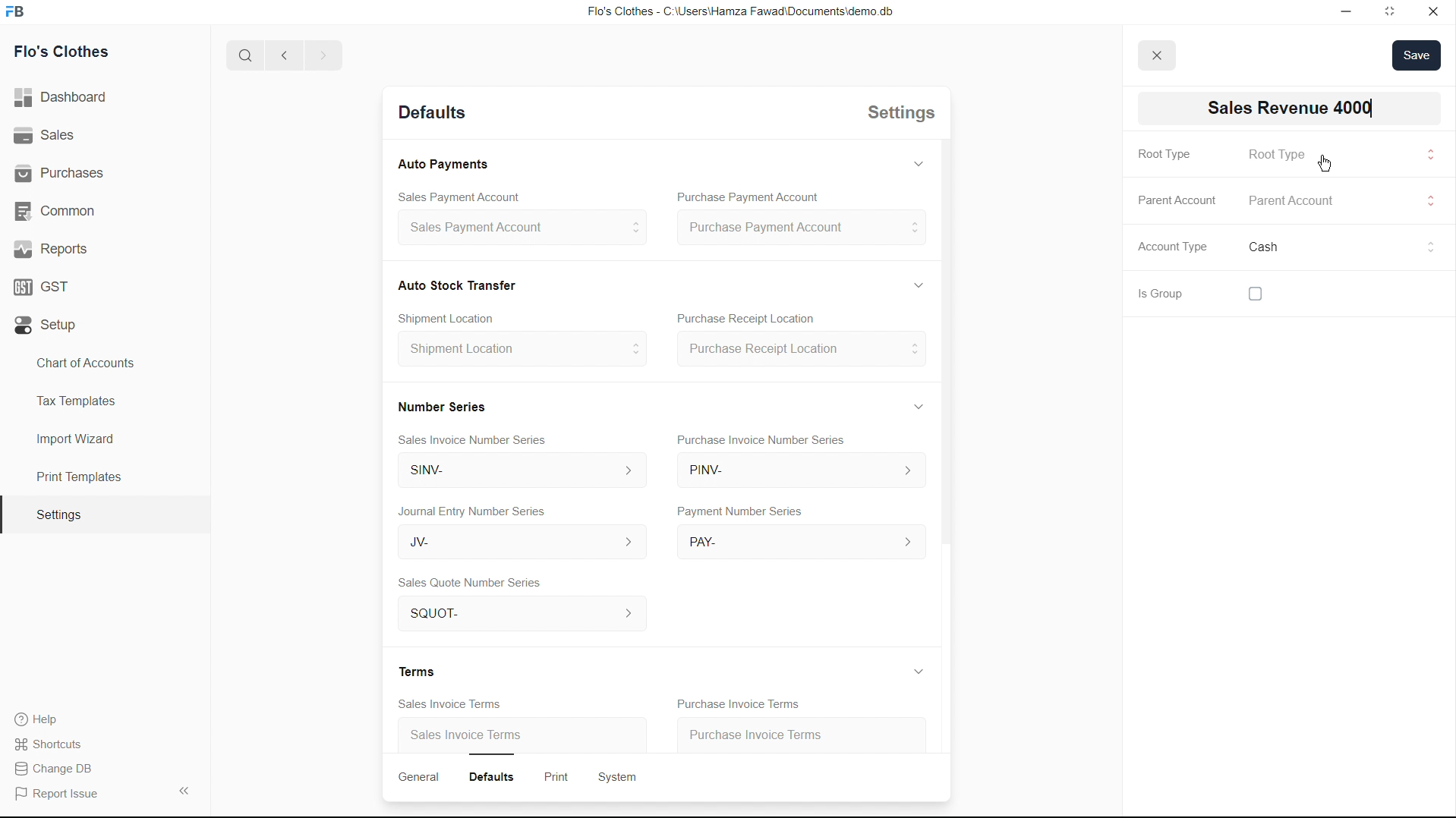 The height and width of the screenshot is (818, 1456). What do you see at coordinates (1158, 53) in the screenshot?
I see `close` at bounding box center [1158, 53].